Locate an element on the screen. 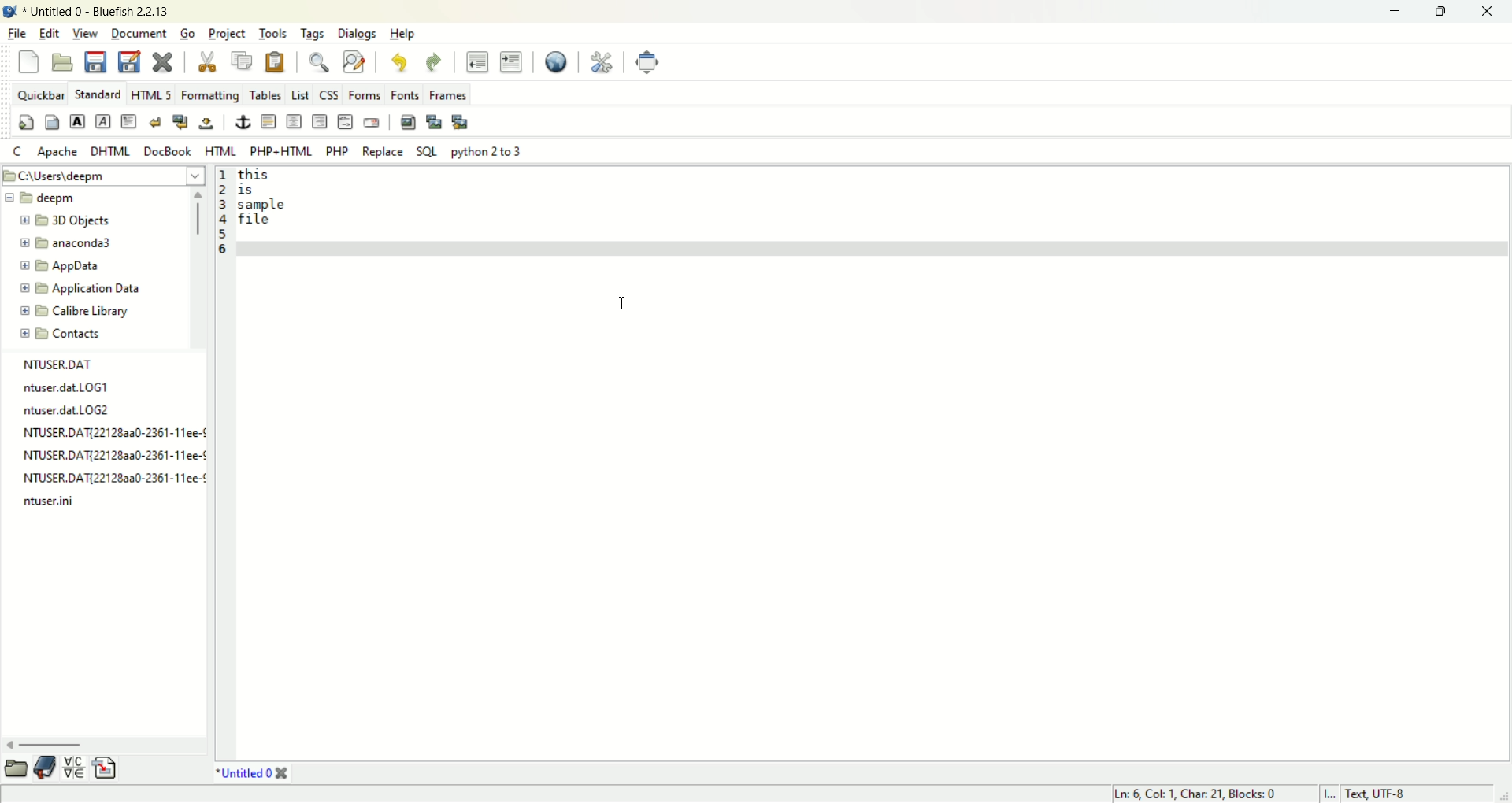 This screenshot has height=803, width=1512. DHTML is located at coordinates (113, 150).